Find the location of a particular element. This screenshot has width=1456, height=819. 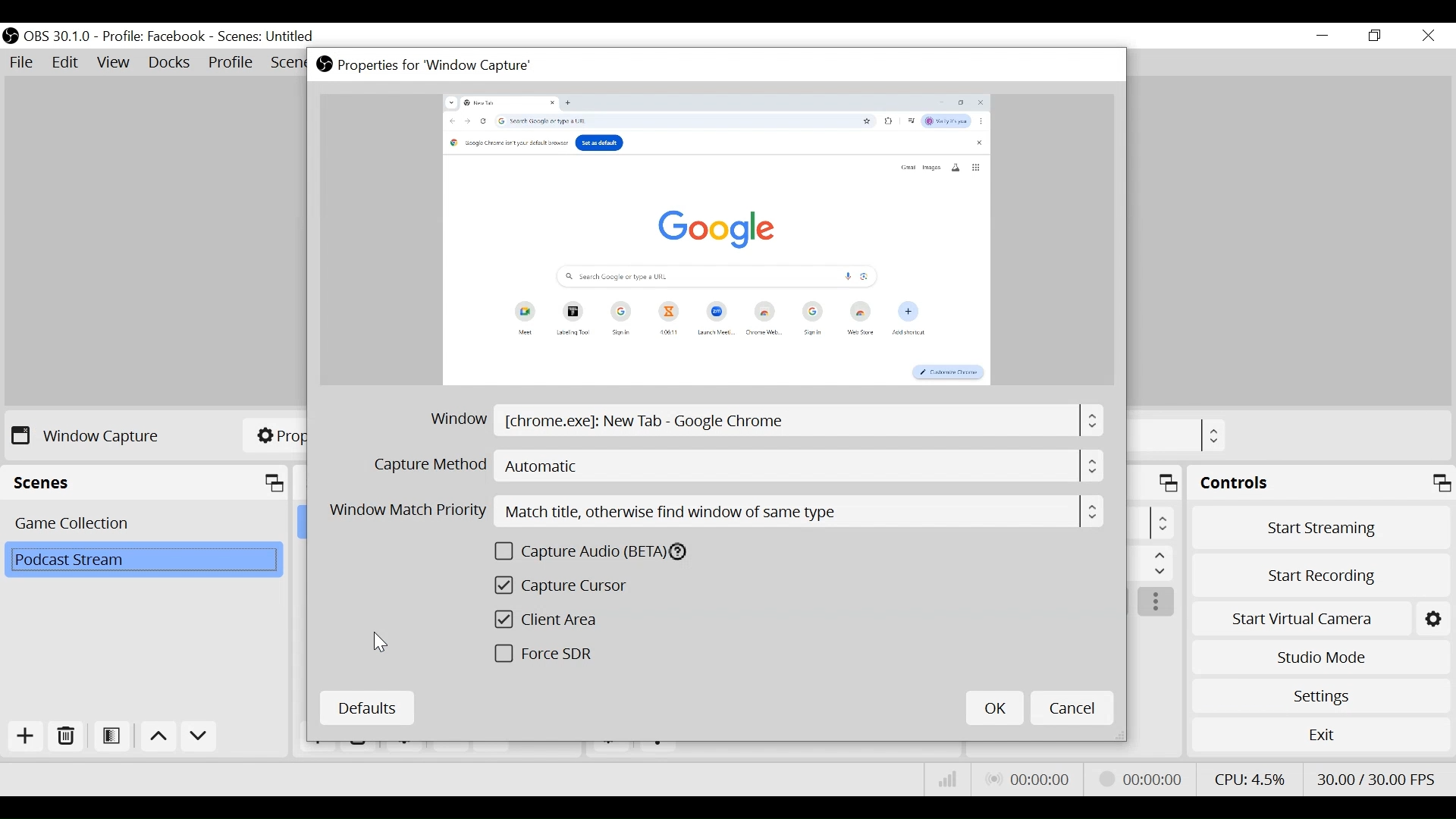

Bitrate is located at coordinates (946, 779).